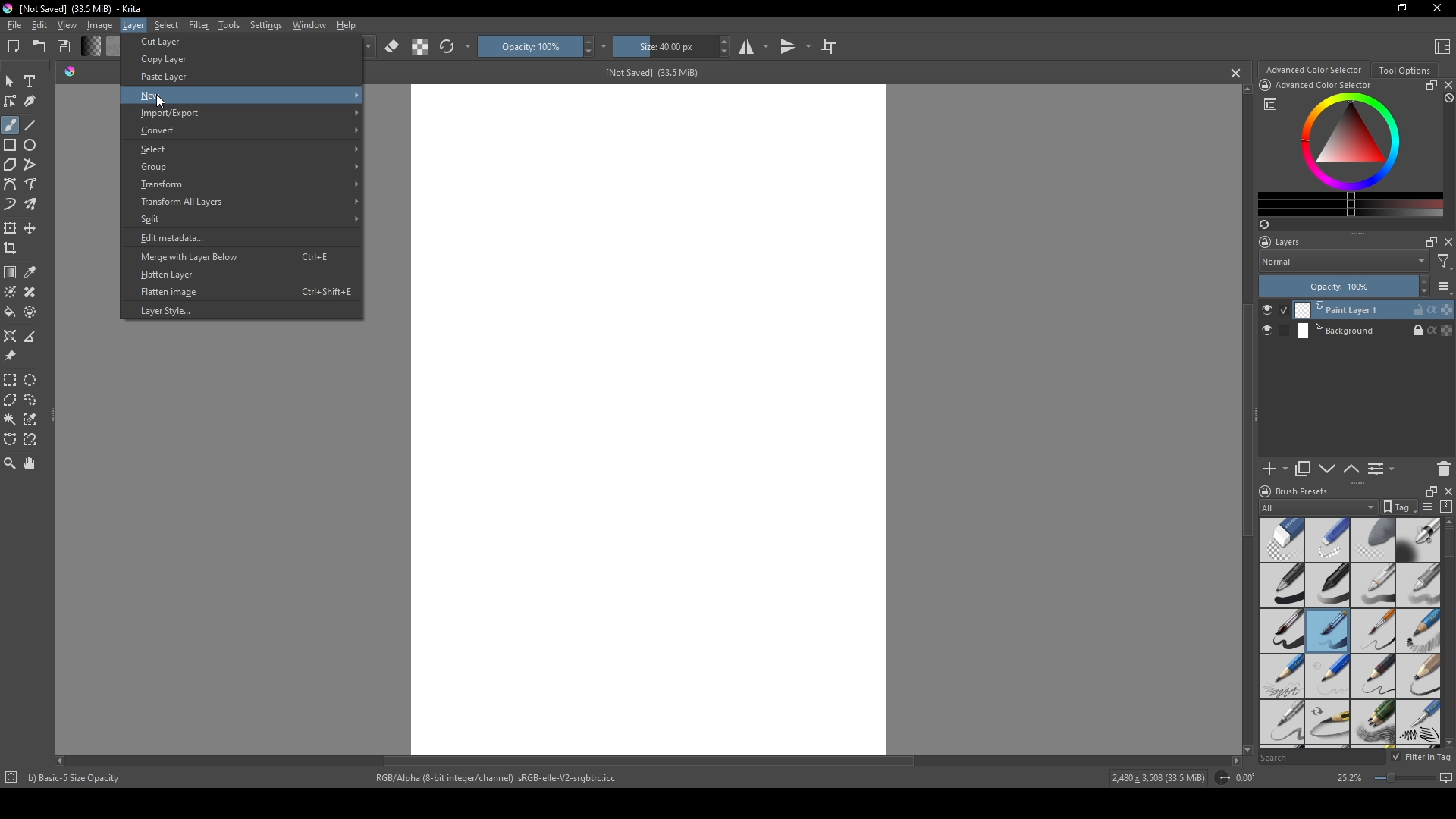 The height and width of the screenshot is (819, 1456). Describe the element at coordinates (99, 25) in the screenshot. I see `Image` at that location.